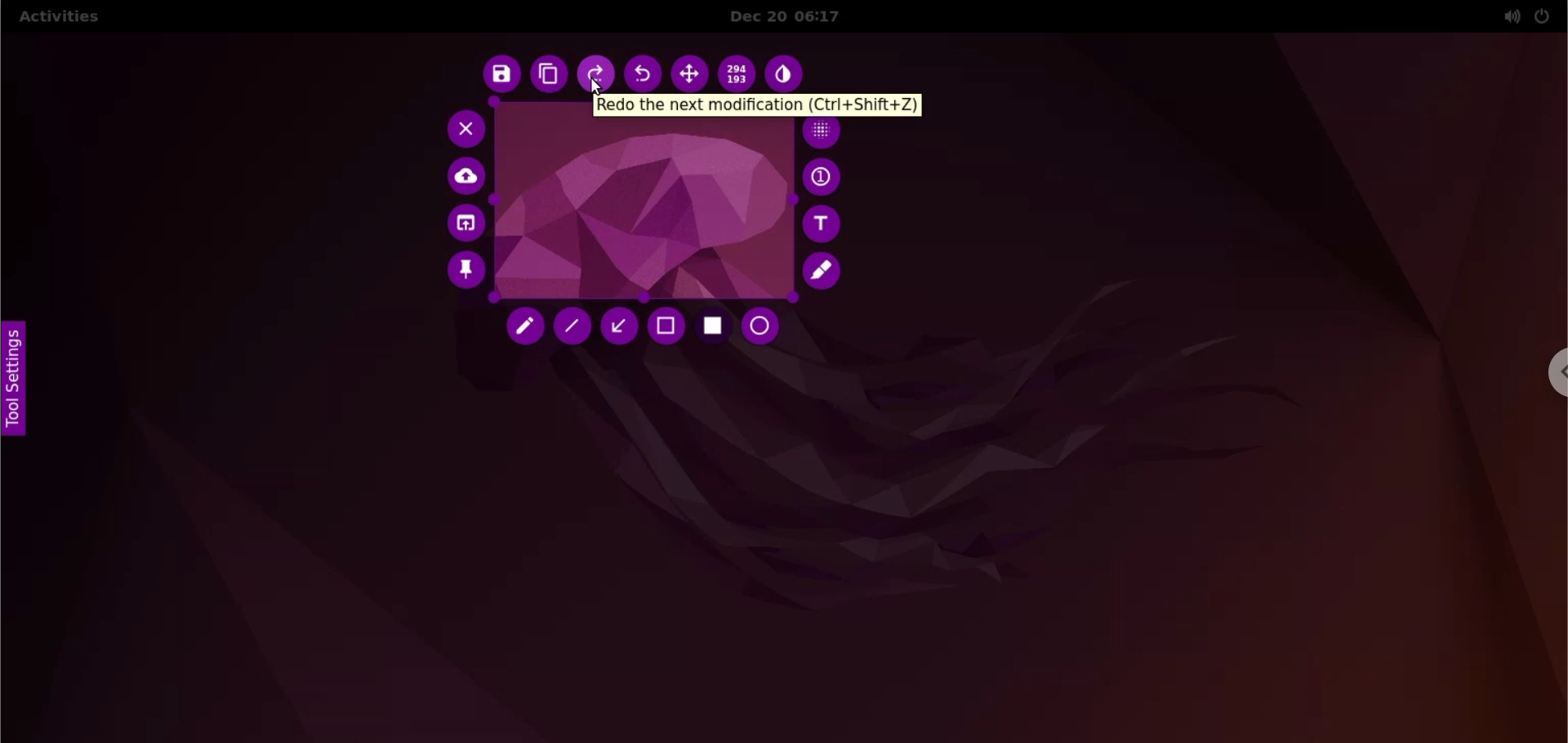 Image resolution: width=1568 pixels, height=743 pixels. Describe the element at coordinates (1543, 16) in the screenshot. I see `power options` at that location.